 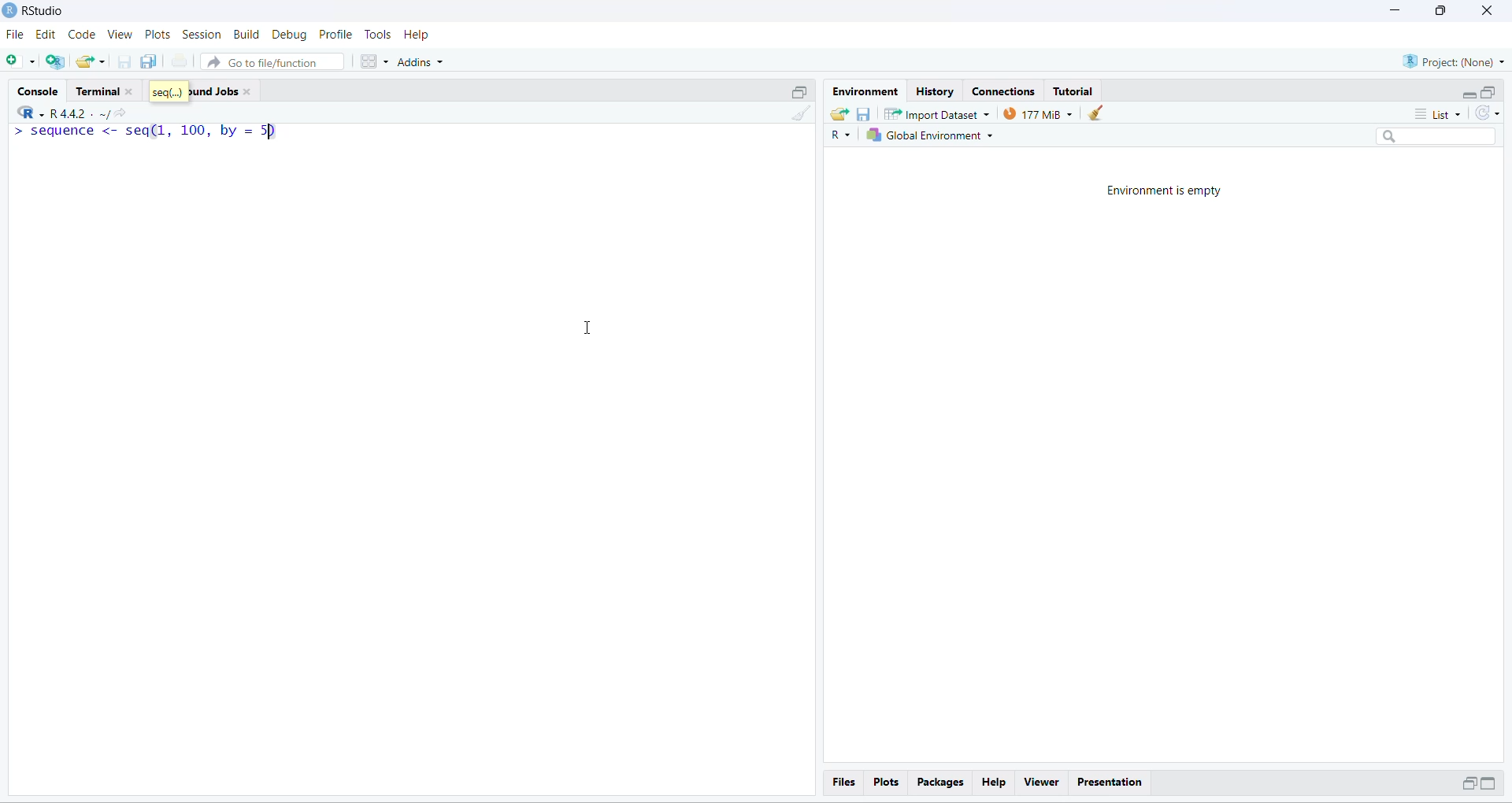 What do you see at coordinates (933, 135) in the screenshot?
I see `global enviornment` at bounding box center [933, 135].